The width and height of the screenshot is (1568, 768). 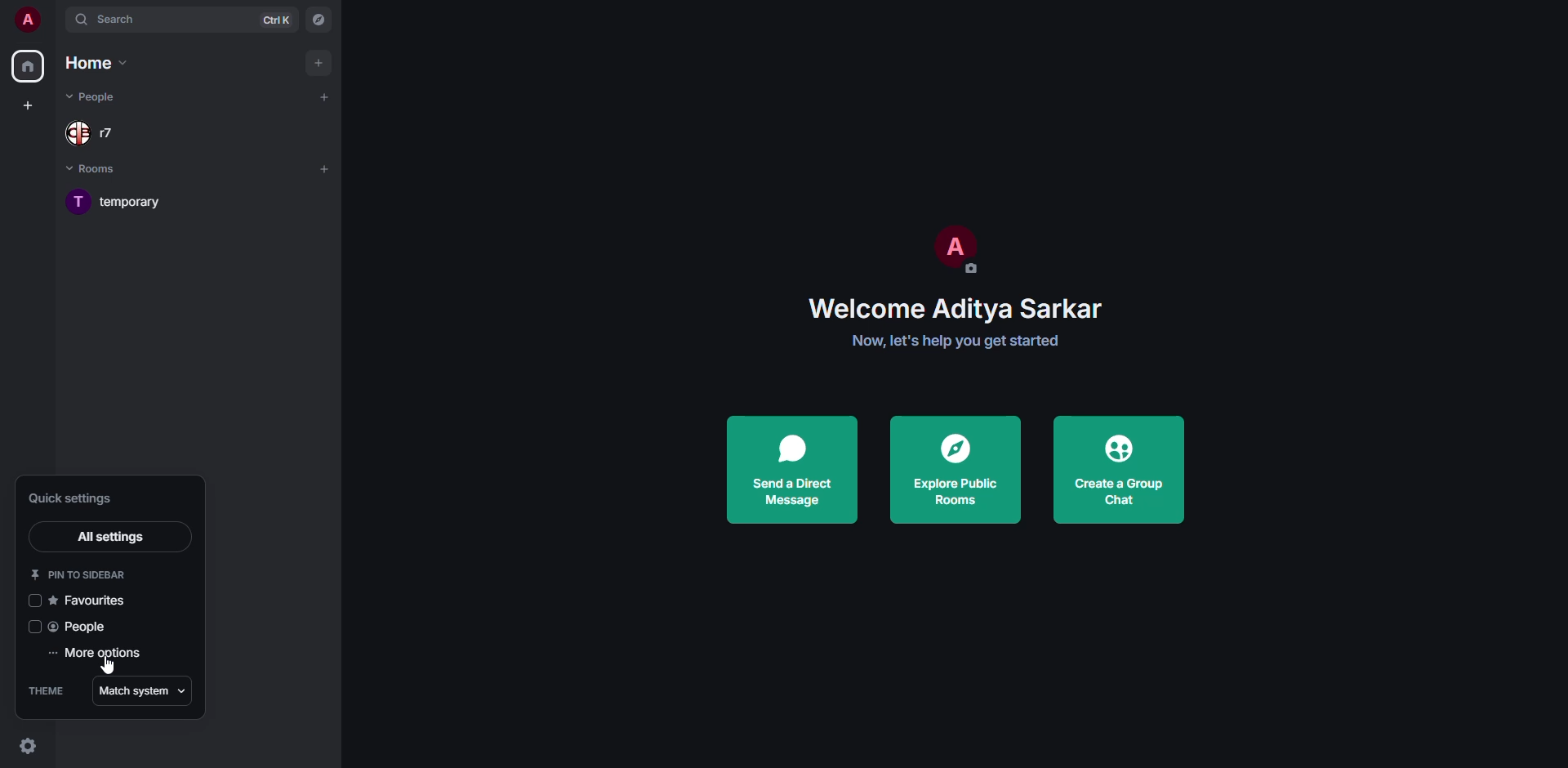 I want to click on add, so click(x=326, y=165).